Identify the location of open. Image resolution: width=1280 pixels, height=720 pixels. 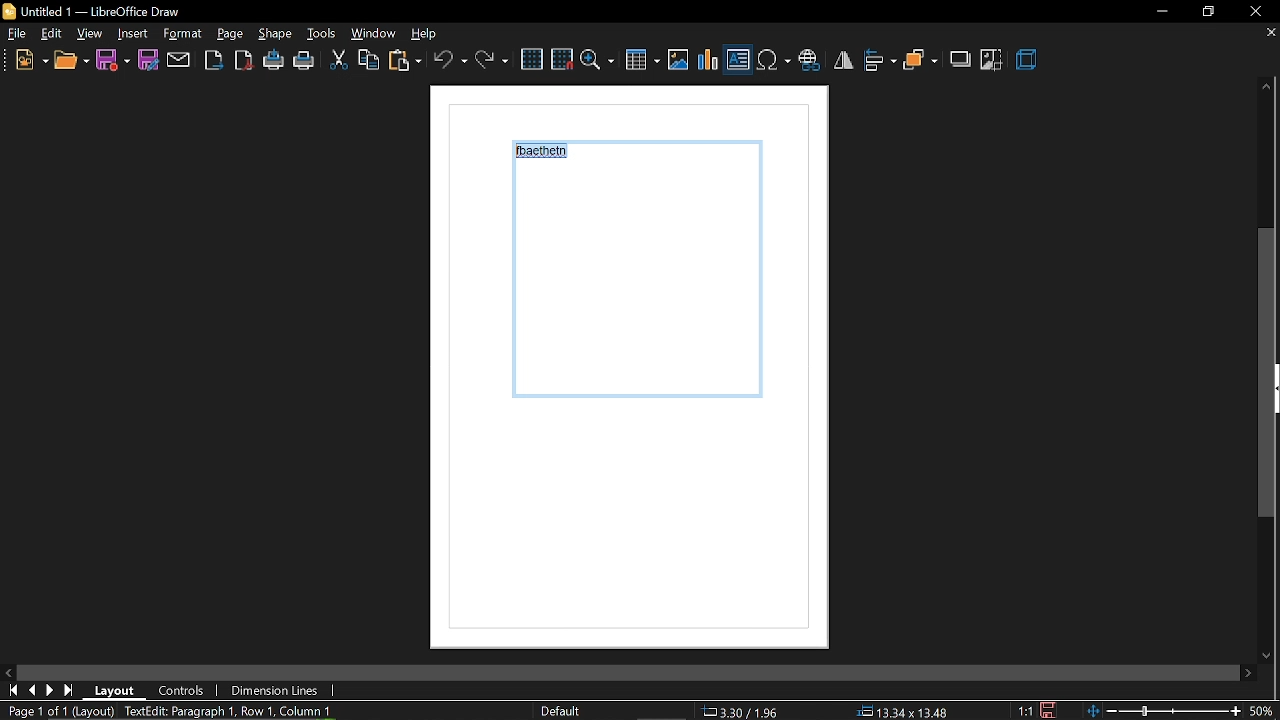
(70, 61).